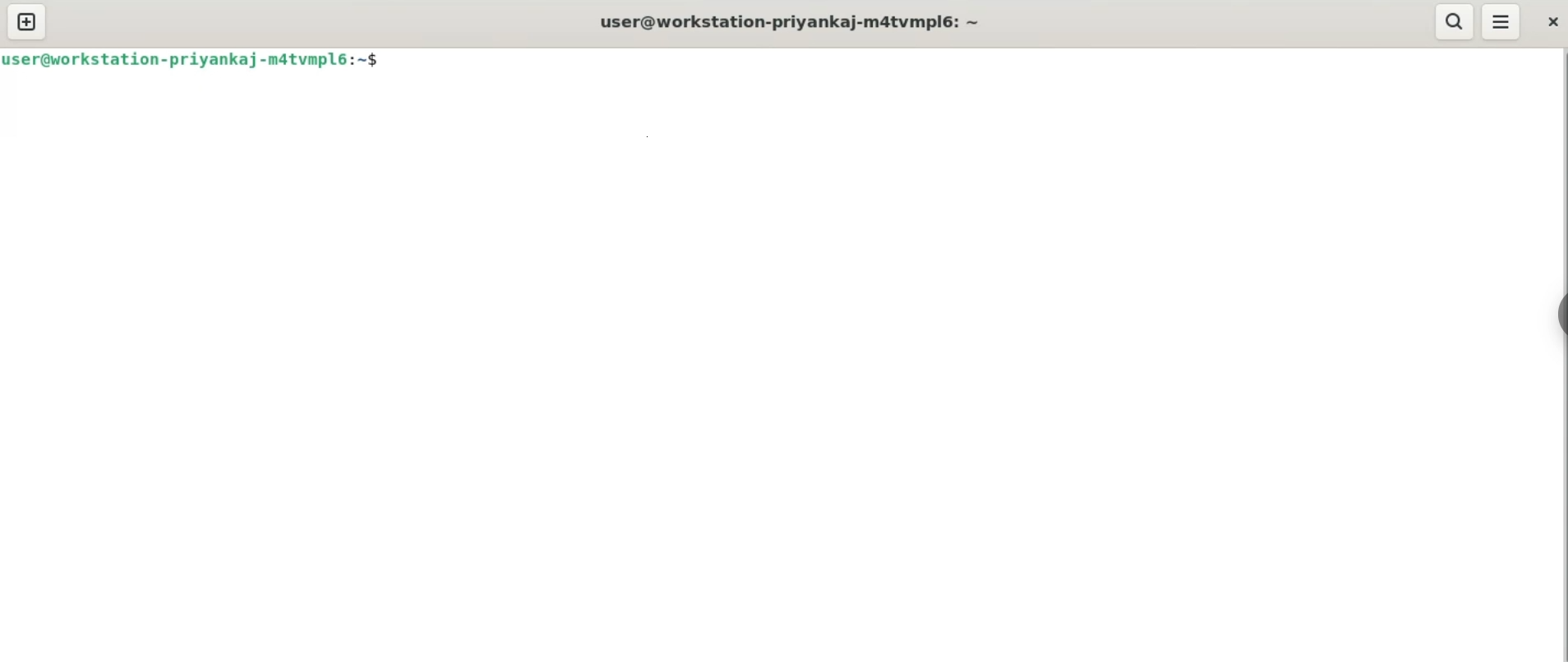 This screenshot has height=662, width=1568. I want to click on user@workstation-priyankaj-matvmplé:~$, so click(194, 61).